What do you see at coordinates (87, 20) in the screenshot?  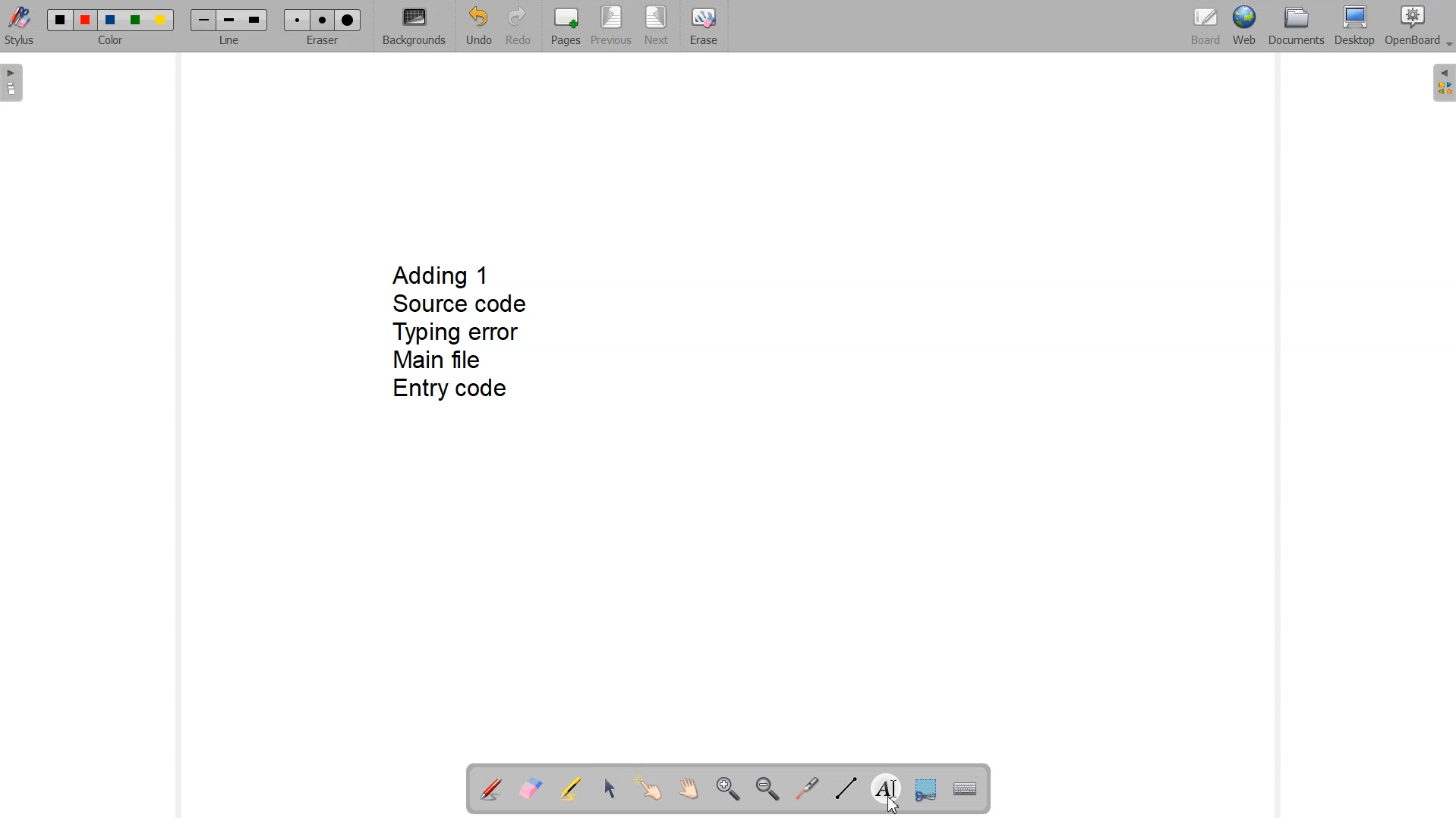 I see `Color 2` at bounding box center [87, 20].